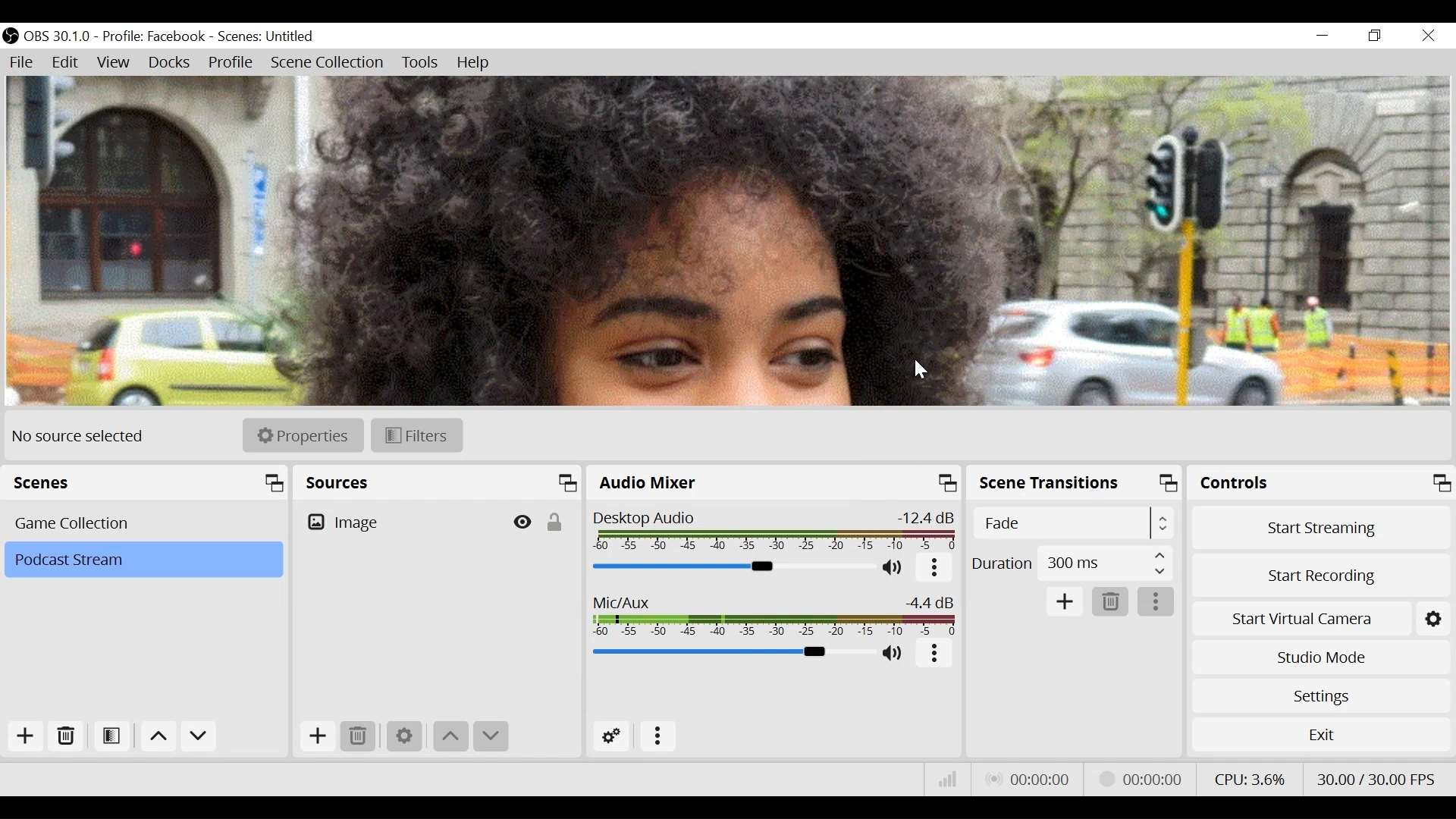 This screenshot has width=1456, height=819. I want to click on Sources Panel, so click(438, 482).